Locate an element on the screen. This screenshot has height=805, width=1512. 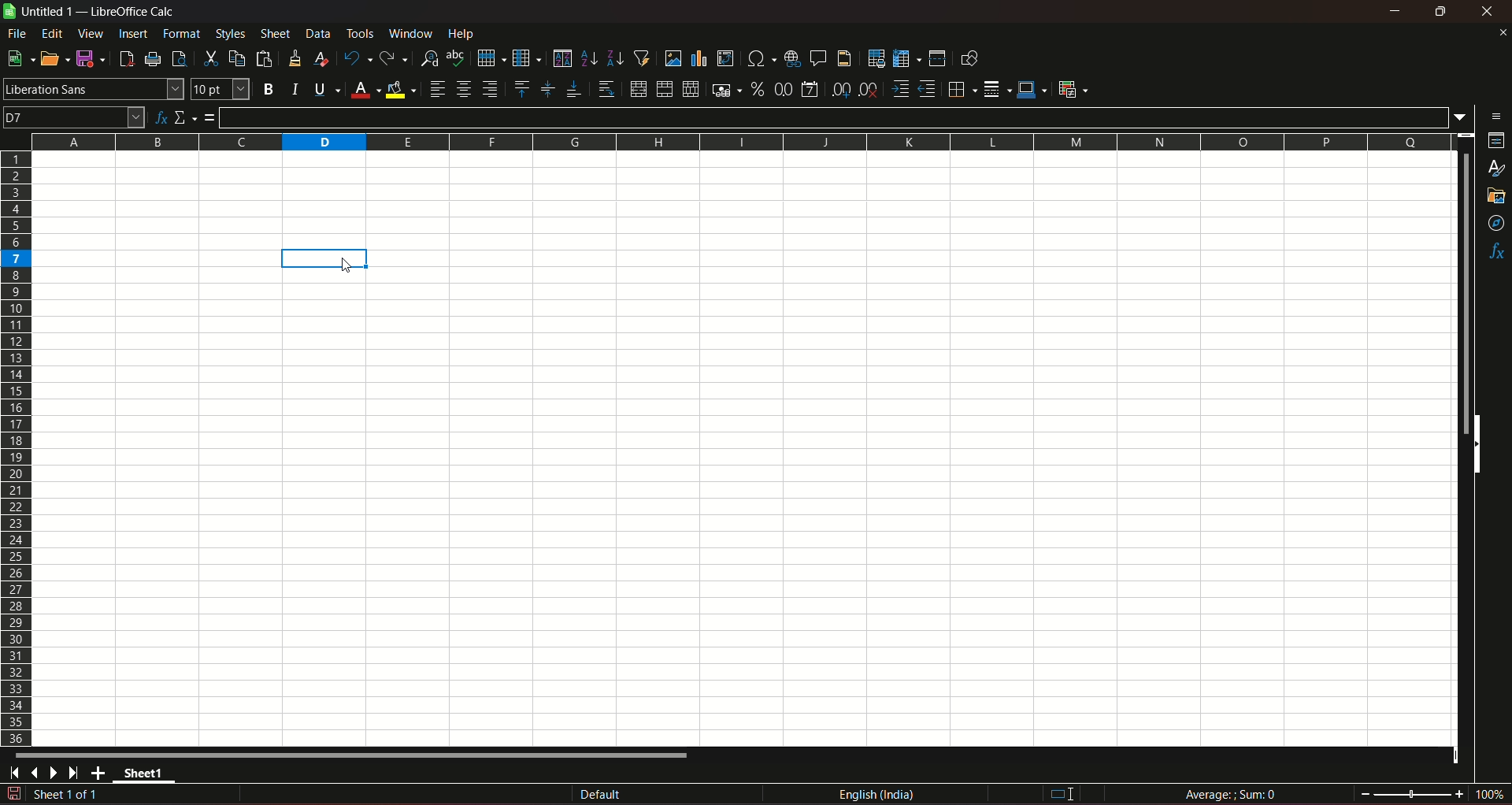
freeze row & column is located at coordinates (906, 59).